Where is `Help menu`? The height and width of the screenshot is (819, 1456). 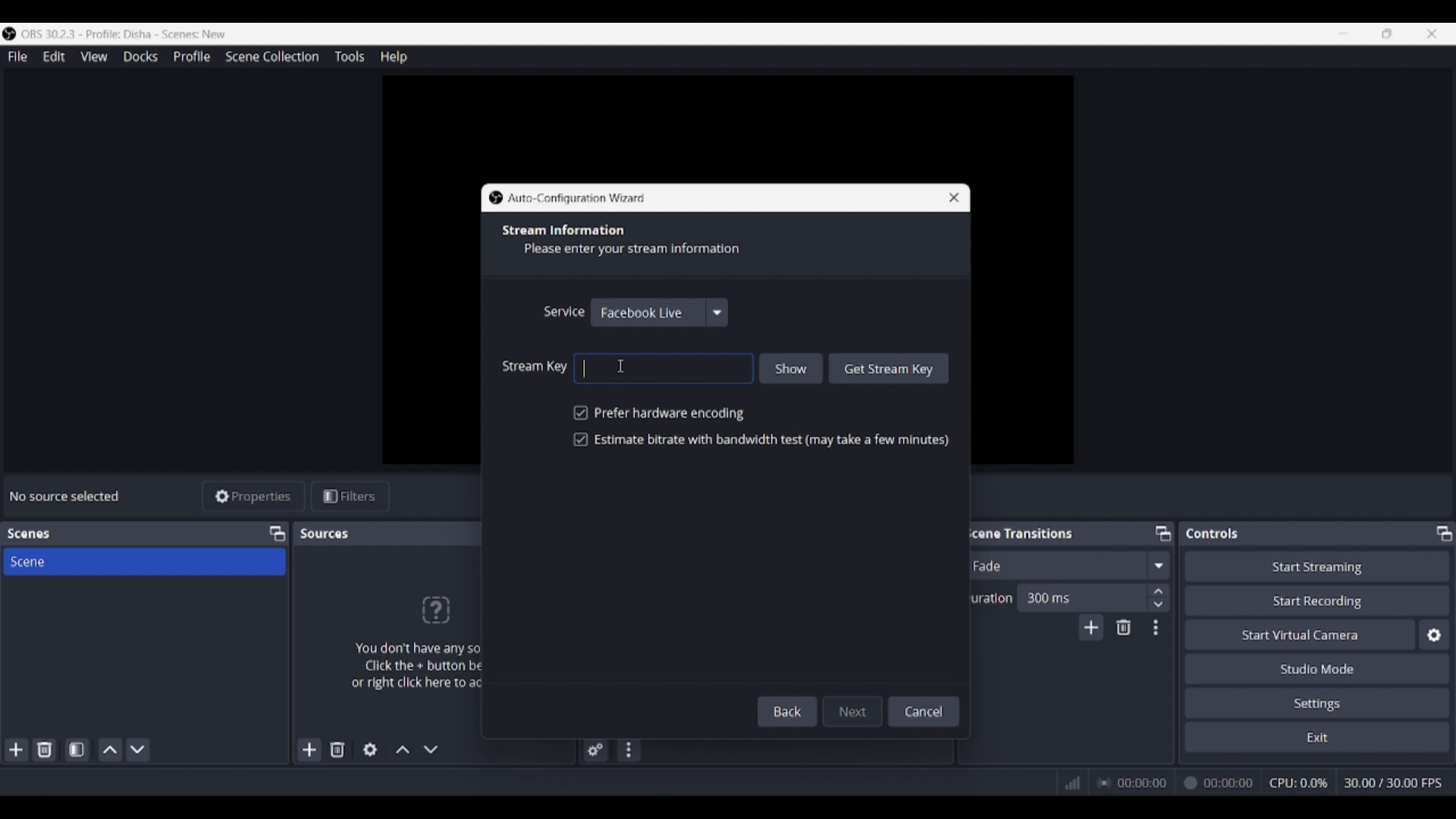
Help menu is located at coordinates (394, 57).